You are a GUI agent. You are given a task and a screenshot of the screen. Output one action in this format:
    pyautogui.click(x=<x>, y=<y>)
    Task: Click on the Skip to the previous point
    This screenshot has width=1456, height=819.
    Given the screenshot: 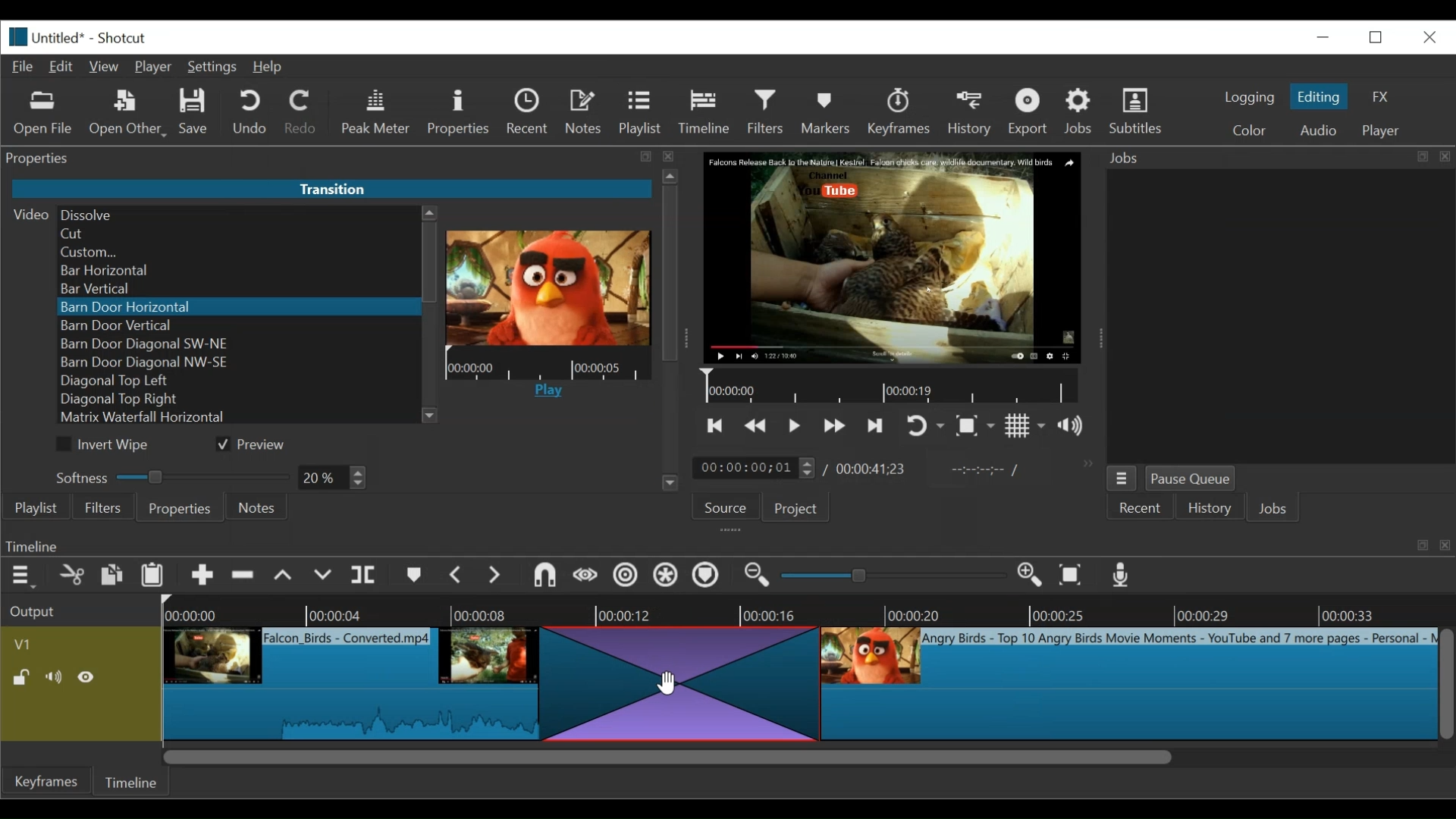 What is the action you would take?
    pyautogui.click(x=714, y=427)
    